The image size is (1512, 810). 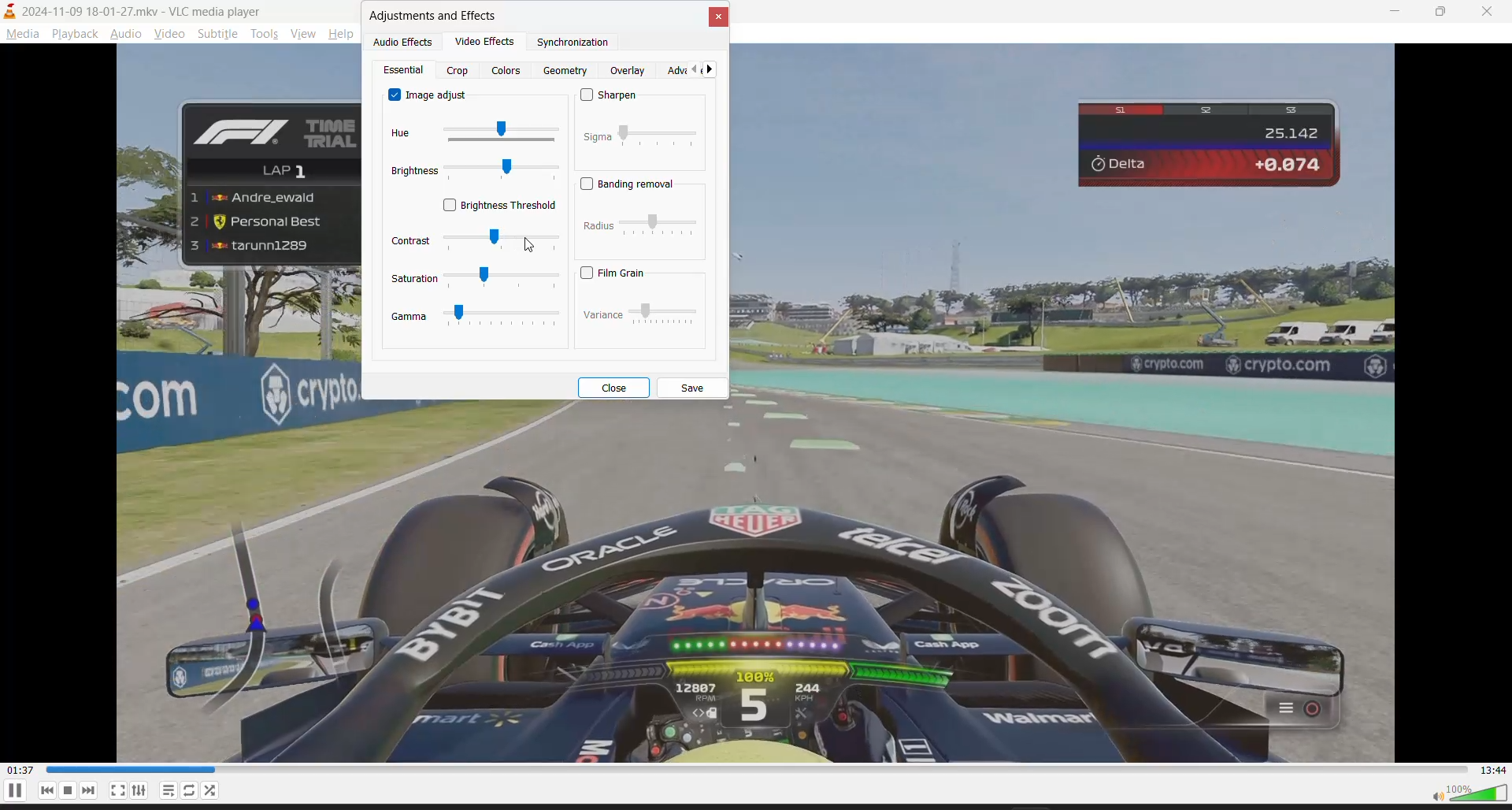 What do you see at coordinates (474, 131) in the screenshot?
I see `hue` at bounding box center [474, 131].